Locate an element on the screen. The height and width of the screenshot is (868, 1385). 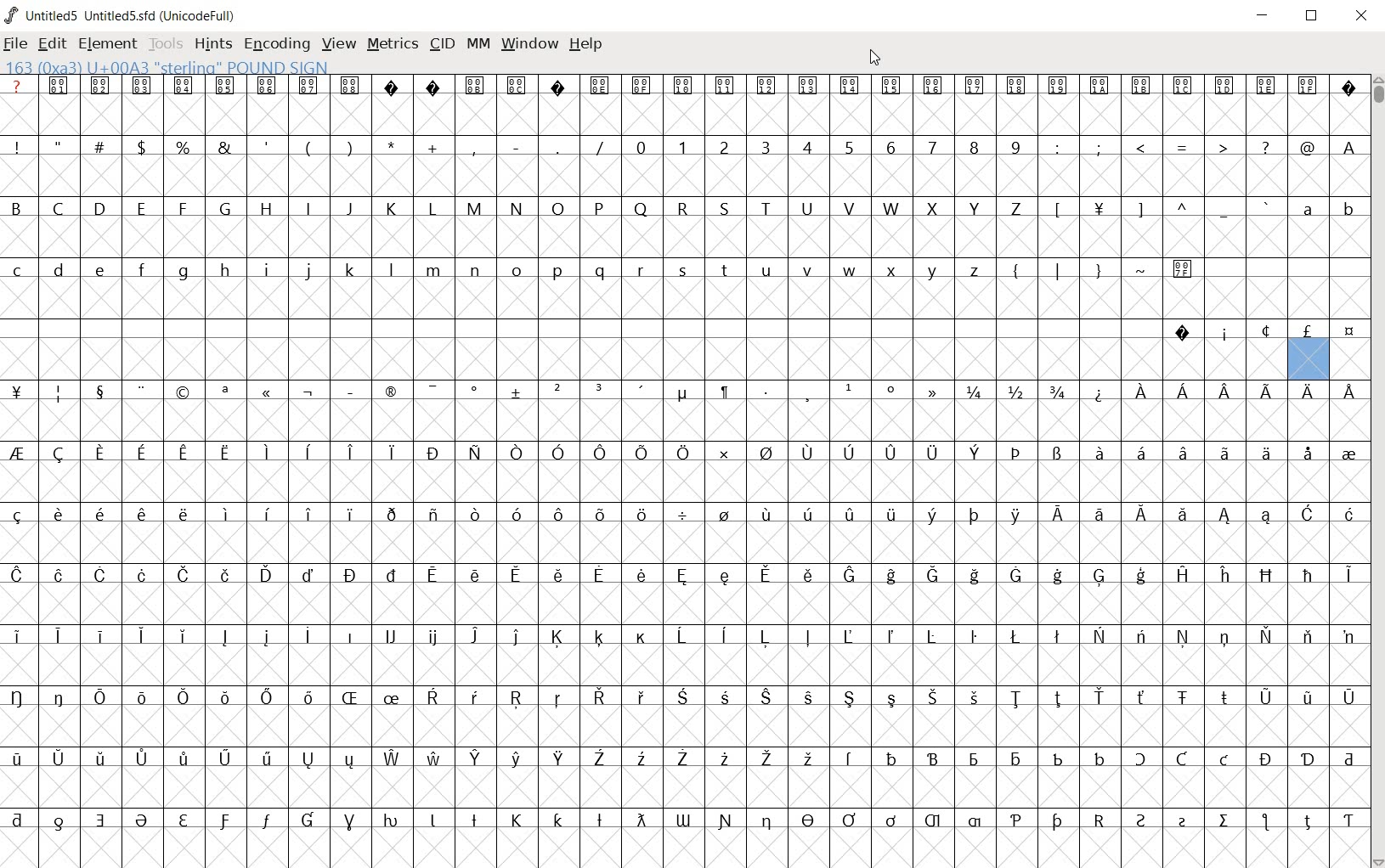
Symbol is located at coordinates (557, 454).